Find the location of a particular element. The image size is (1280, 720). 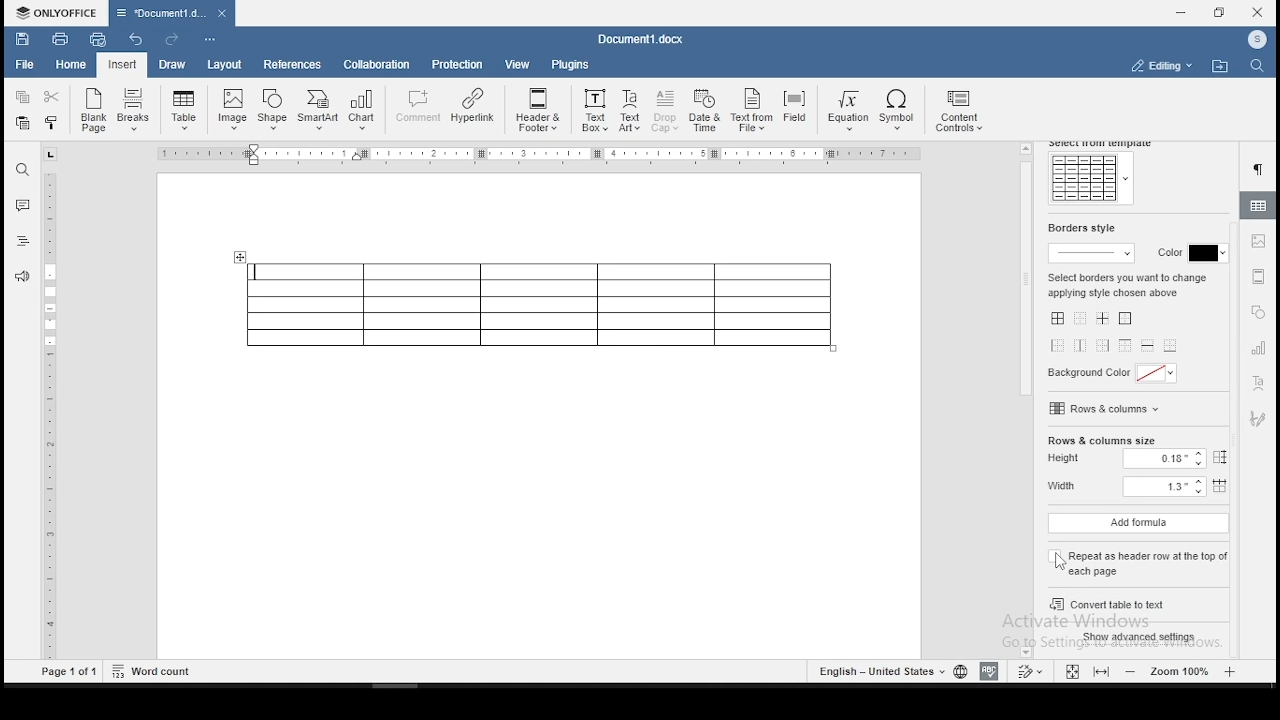

print file is located at coordinates (60, 38).